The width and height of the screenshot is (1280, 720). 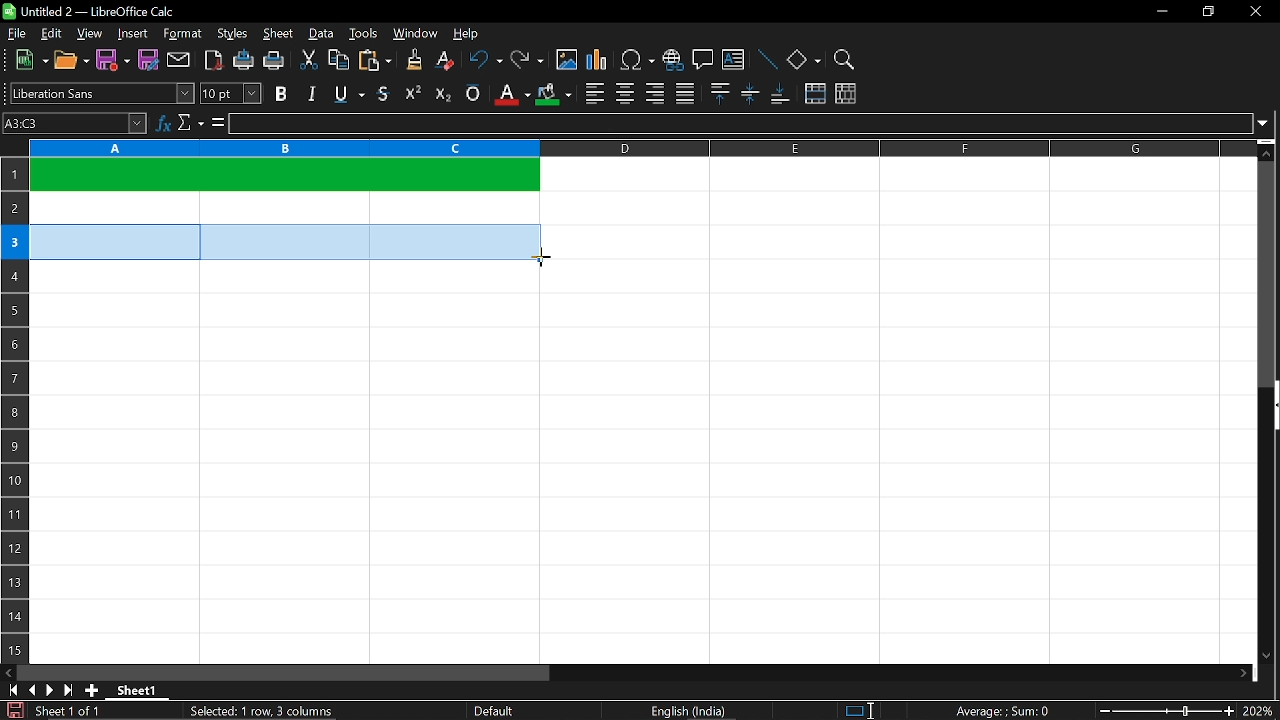 What do you see at coordinates (413, 93) in the screenshot?
I see `supercript` at bounding box center [413, 93].